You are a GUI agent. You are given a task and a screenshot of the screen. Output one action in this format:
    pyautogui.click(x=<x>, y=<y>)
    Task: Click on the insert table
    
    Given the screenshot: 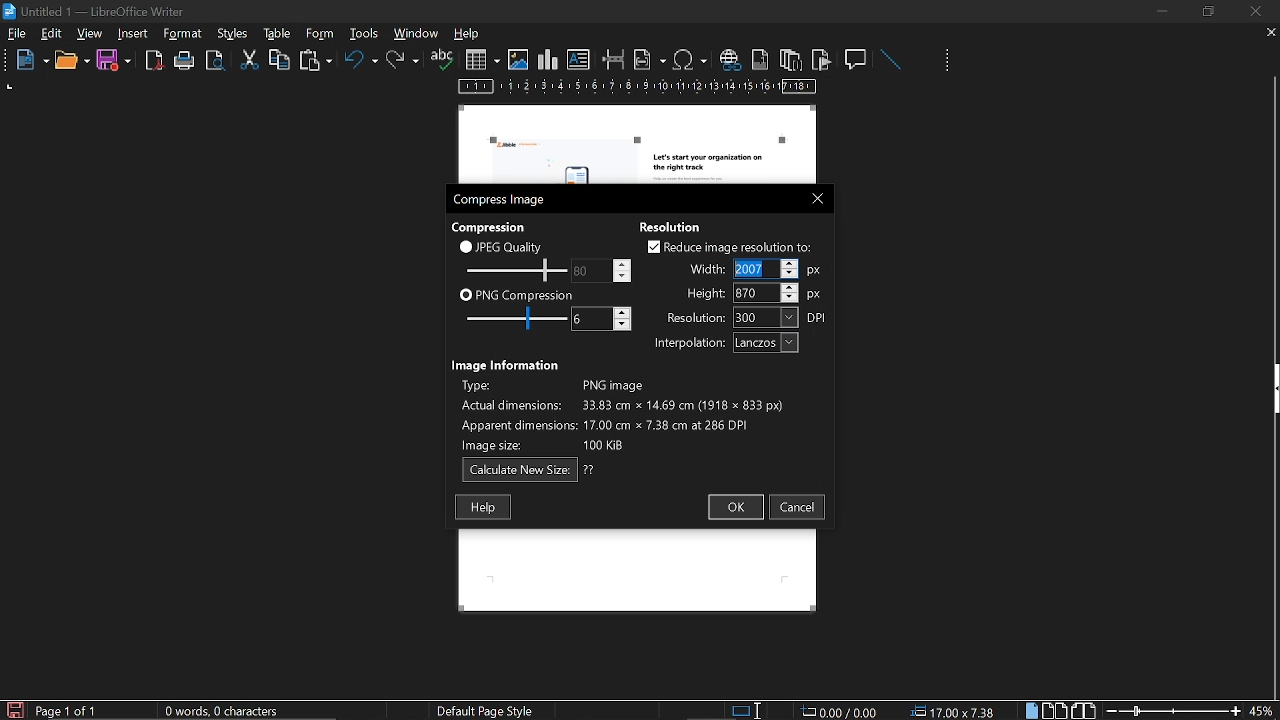 What is the action you would take?
    pyautogui.click(x=482, y=60)
    